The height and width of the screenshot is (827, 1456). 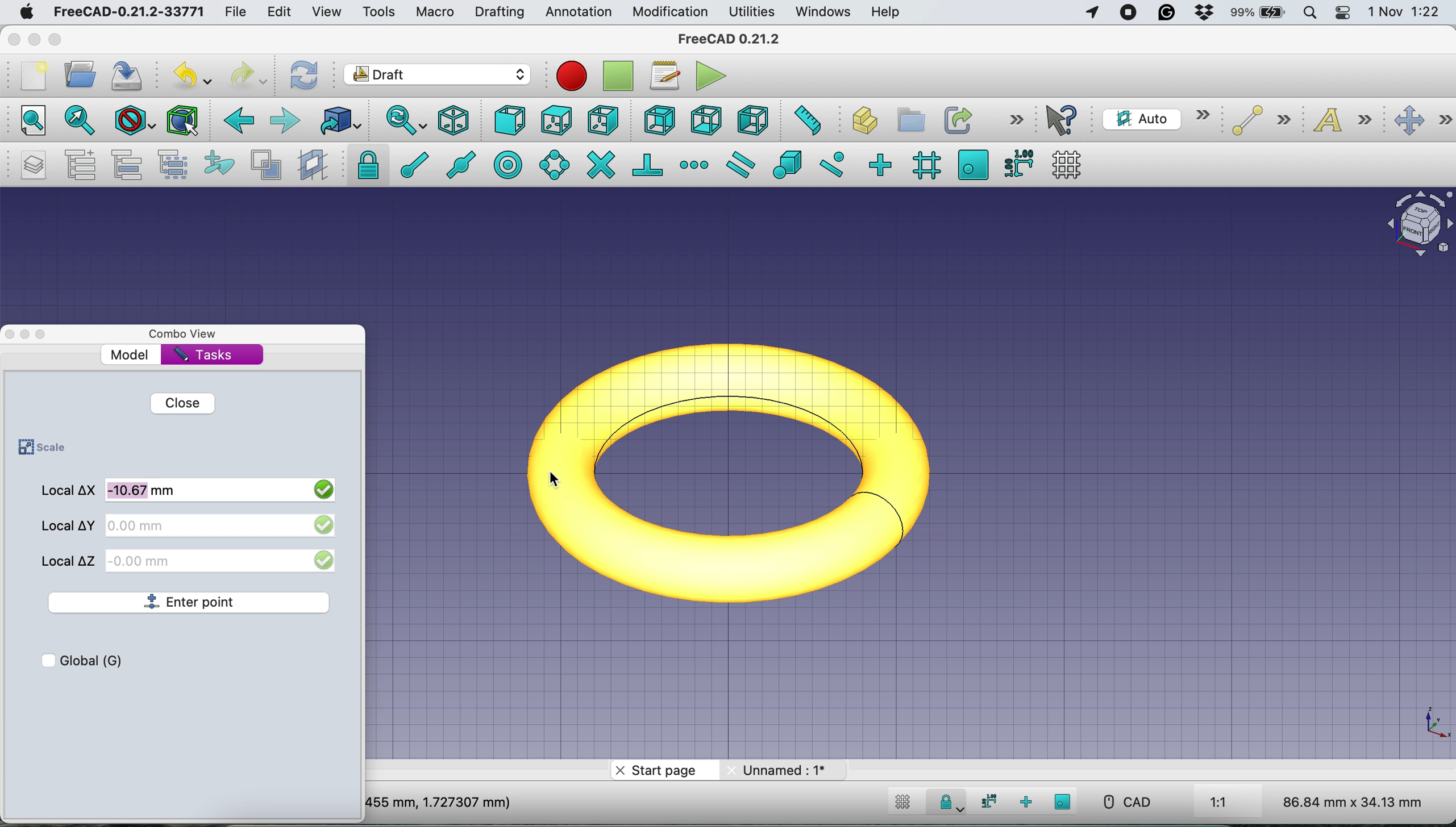 I want to click on Snap Lock, so click(x=949, y=801).